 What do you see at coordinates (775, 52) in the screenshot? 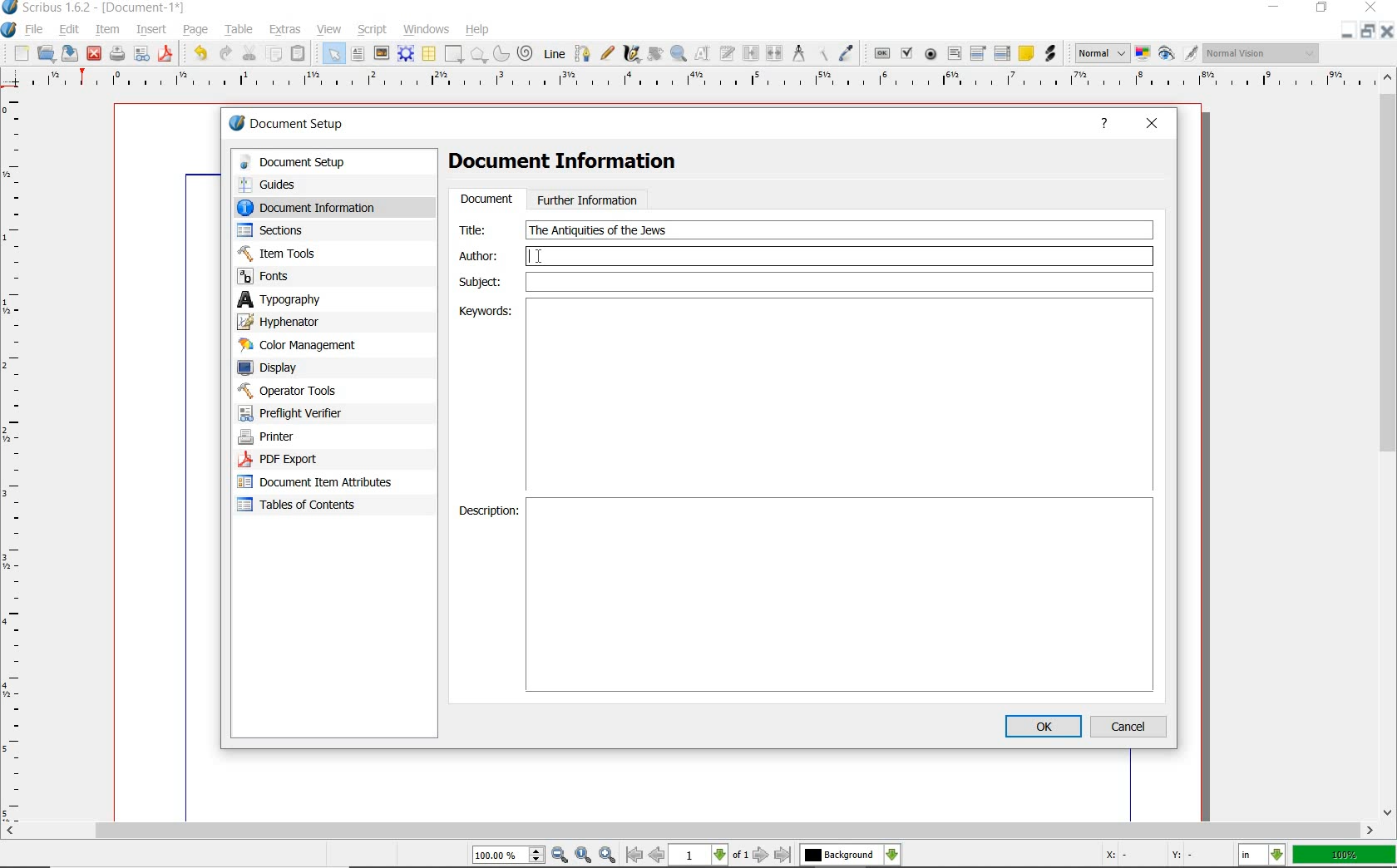
I see `unlink text frames` at bounding box center [775, 52].